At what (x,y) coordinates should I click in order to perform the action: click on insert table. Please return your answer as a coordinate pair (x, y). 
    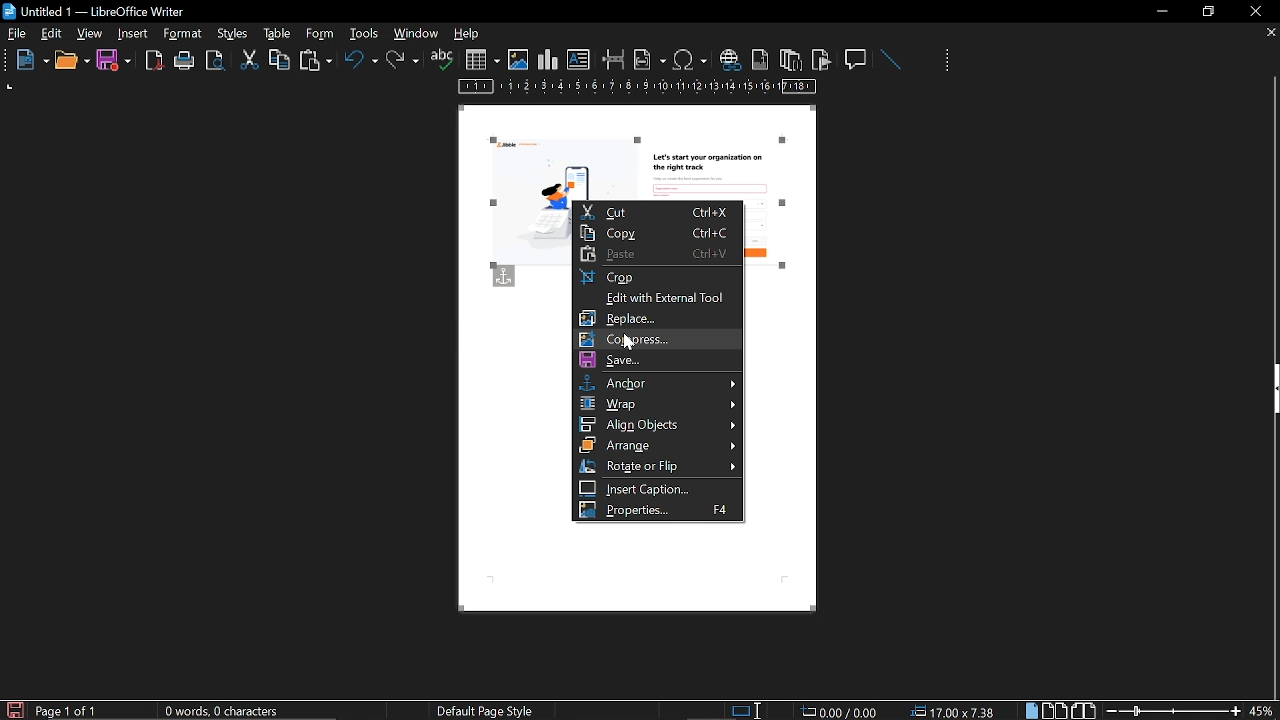
    Looking at the image, I should click on (482, 60).